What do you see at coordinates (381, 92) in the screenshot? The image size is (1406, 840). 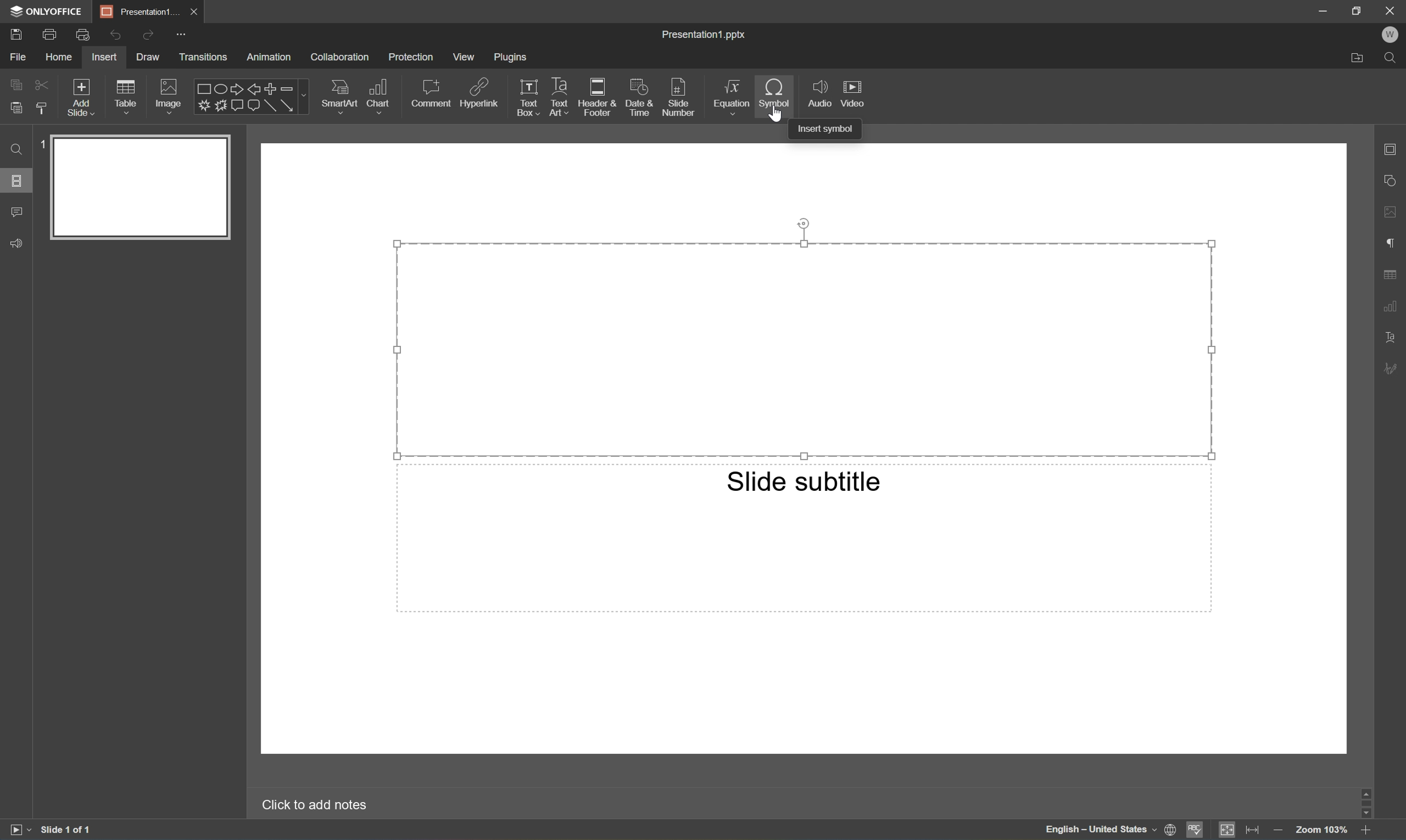 I see `Chart` at bounding box center [381, 92].